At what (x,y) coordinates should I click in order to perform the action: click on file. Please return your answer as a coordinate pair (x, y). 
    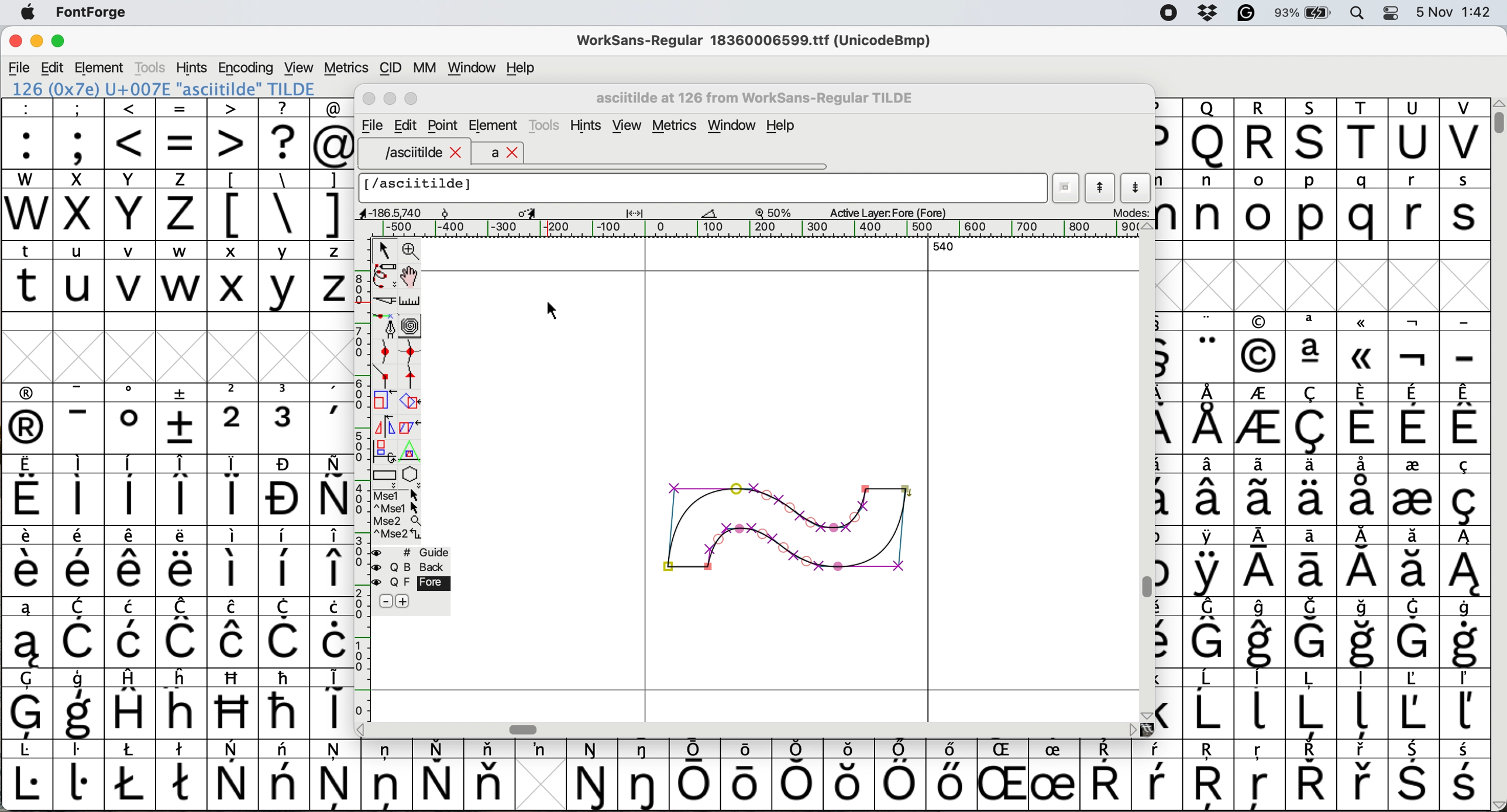
    Looking at the image, I should click on (20, 68).